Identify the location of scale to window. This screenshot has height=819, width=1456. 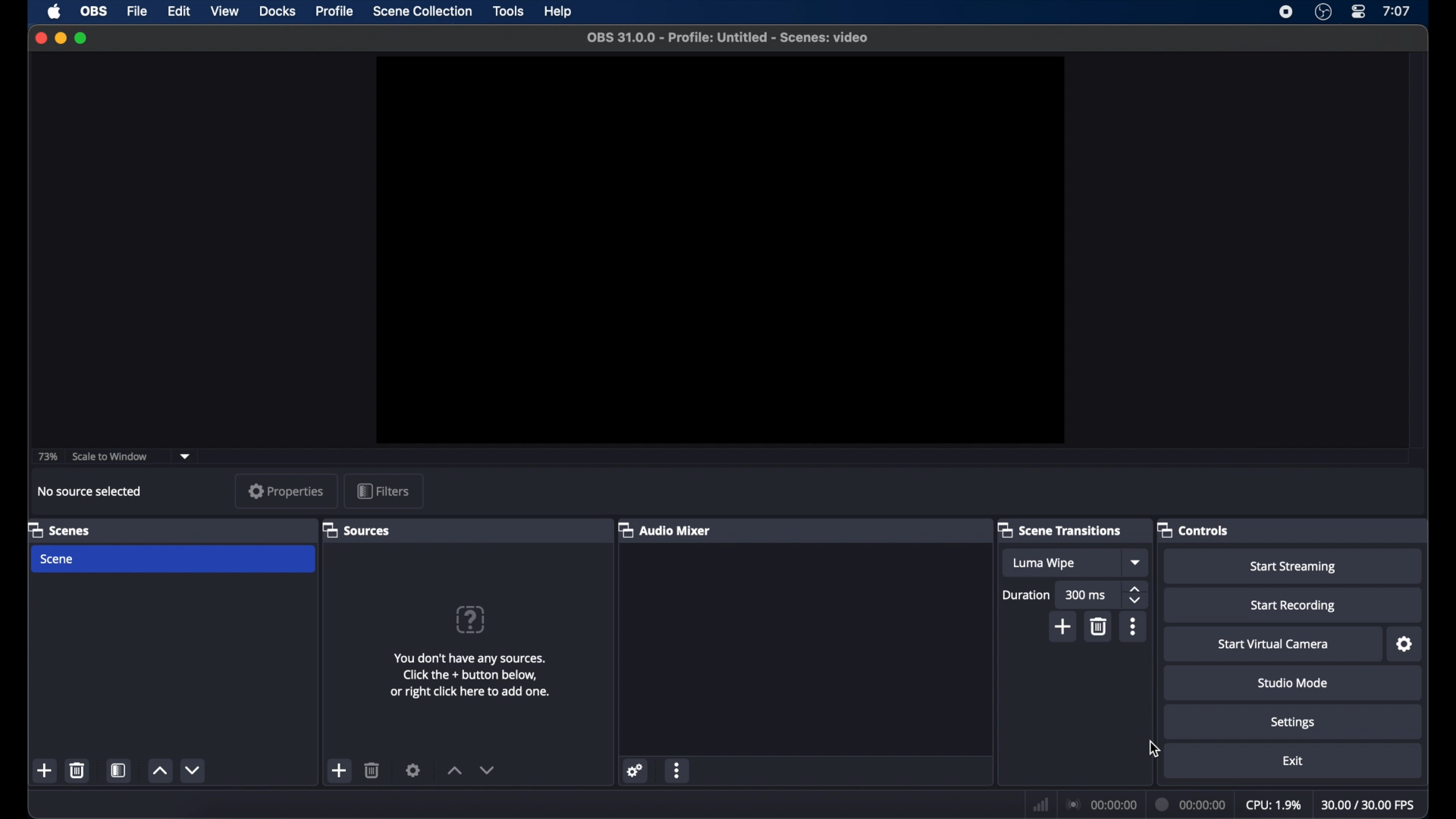
(112, 457).